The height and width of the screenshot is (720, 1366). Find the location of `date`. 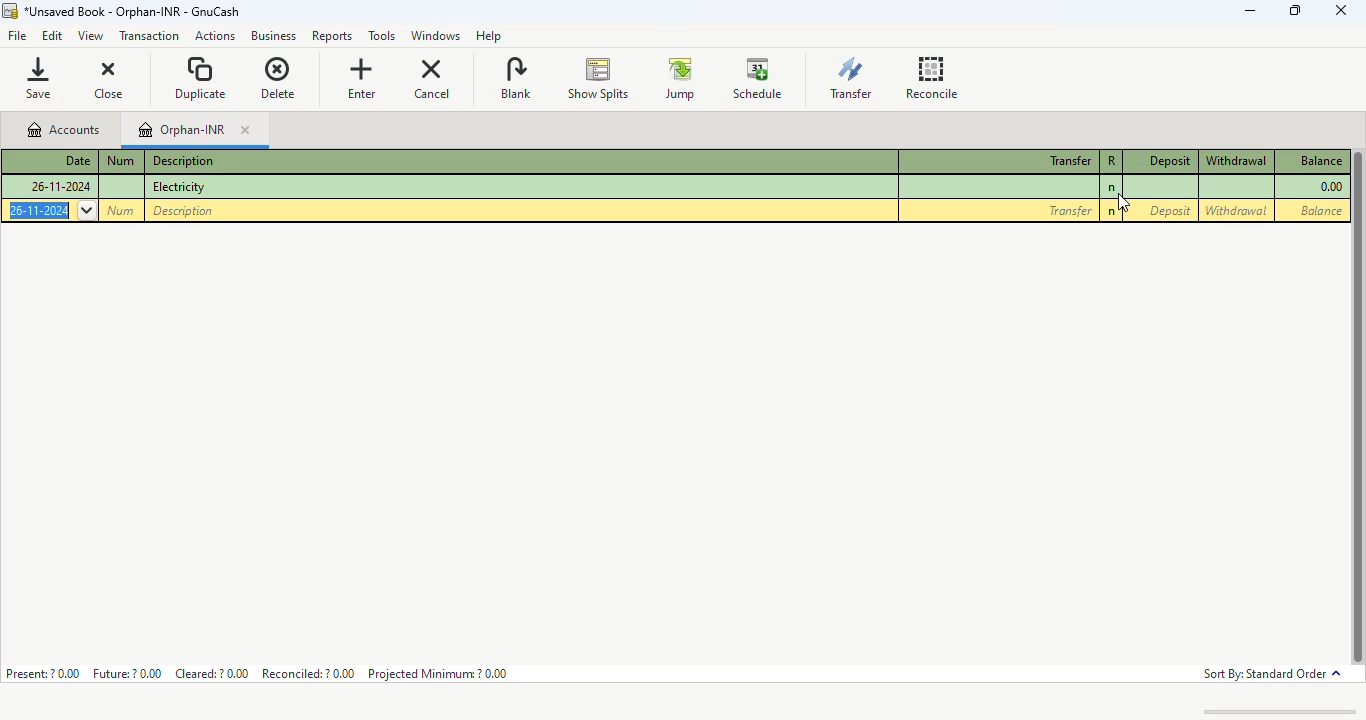

date is located at coordinates (77, 159).